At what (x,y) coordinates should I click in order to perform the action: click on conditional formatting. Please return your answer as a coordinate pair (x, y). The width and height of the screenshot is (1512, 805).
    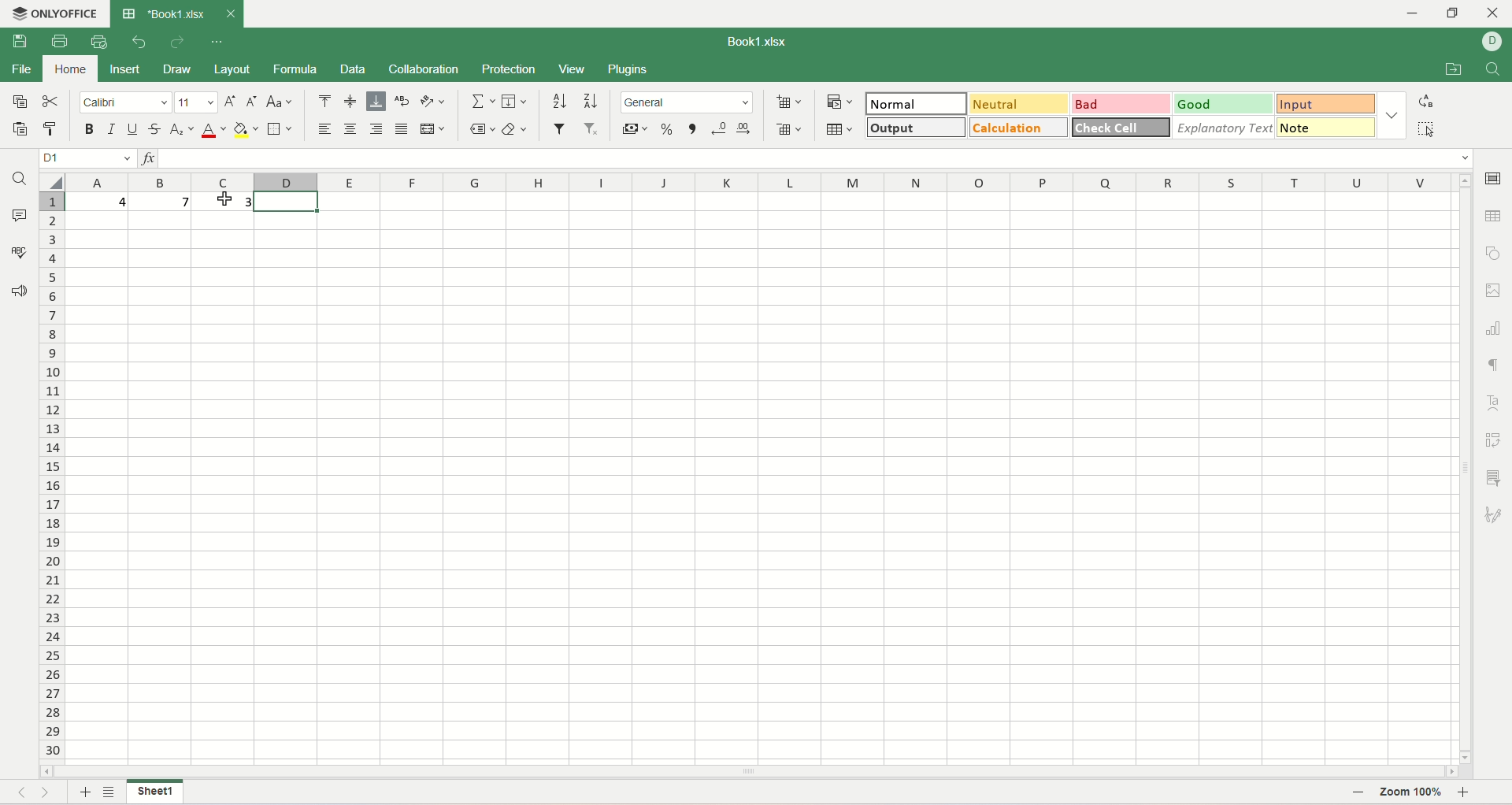
    Looking at the image, I should click on (842, 99).